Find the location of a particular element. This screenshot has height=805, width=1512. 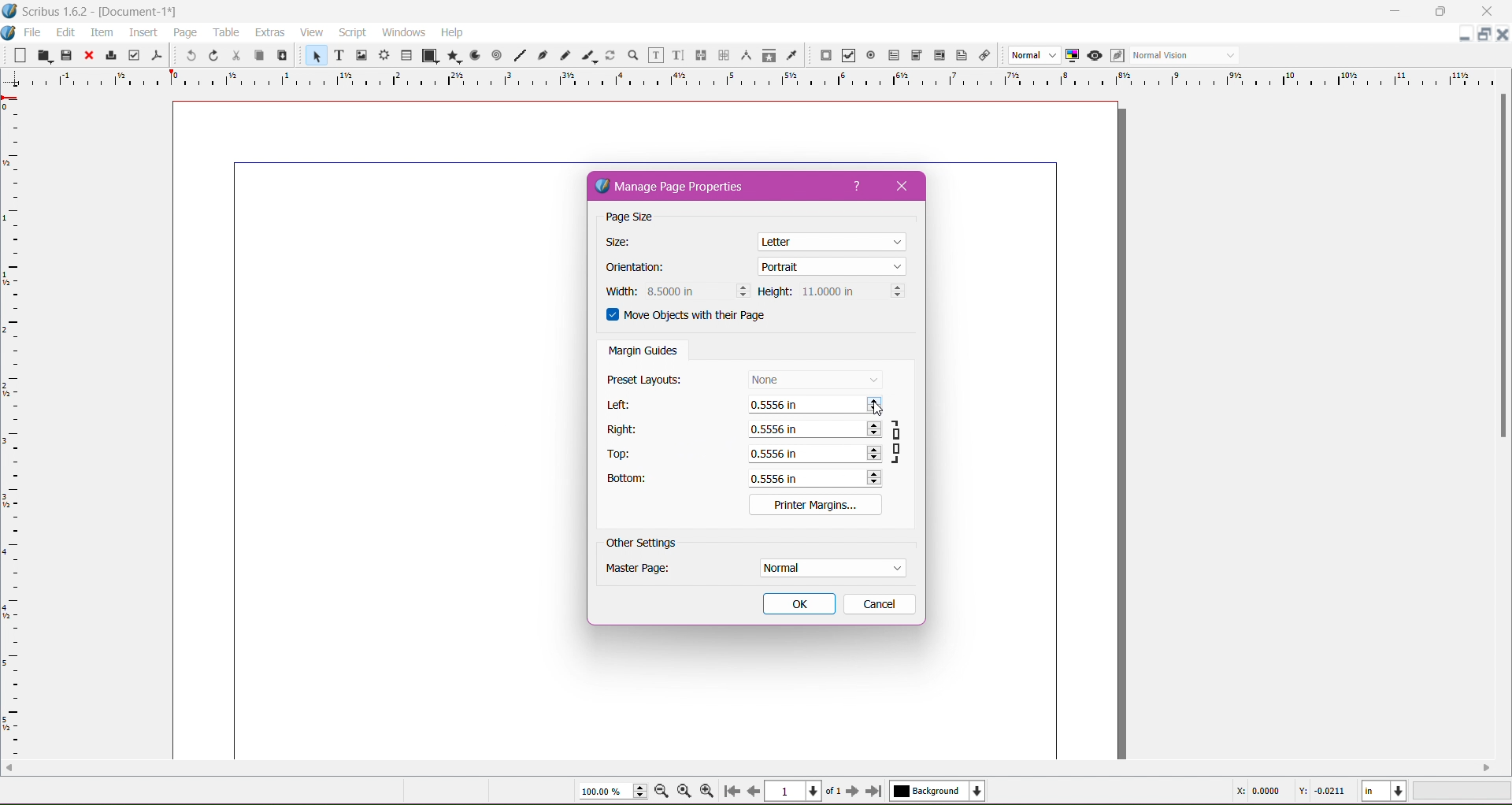

Go to next page is located at coordinates (852, 792).